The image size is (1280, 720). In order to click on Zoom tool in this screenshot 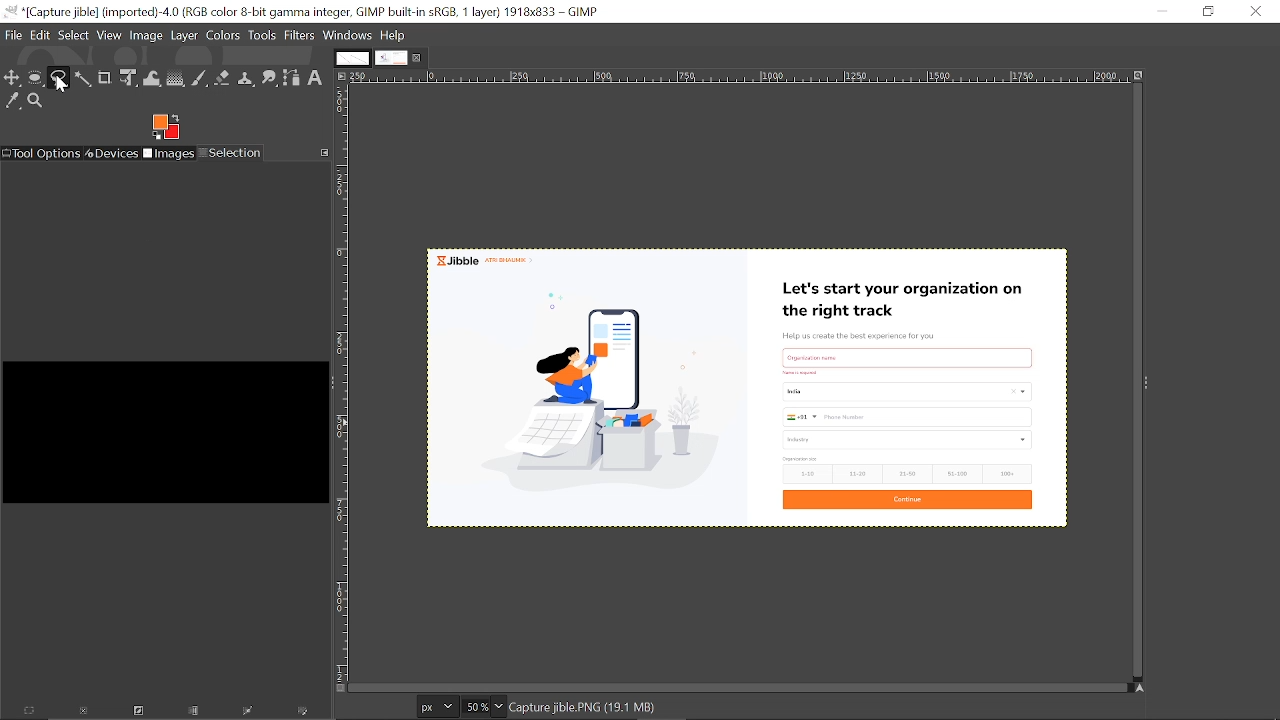, I will do `click(36, 101)`.